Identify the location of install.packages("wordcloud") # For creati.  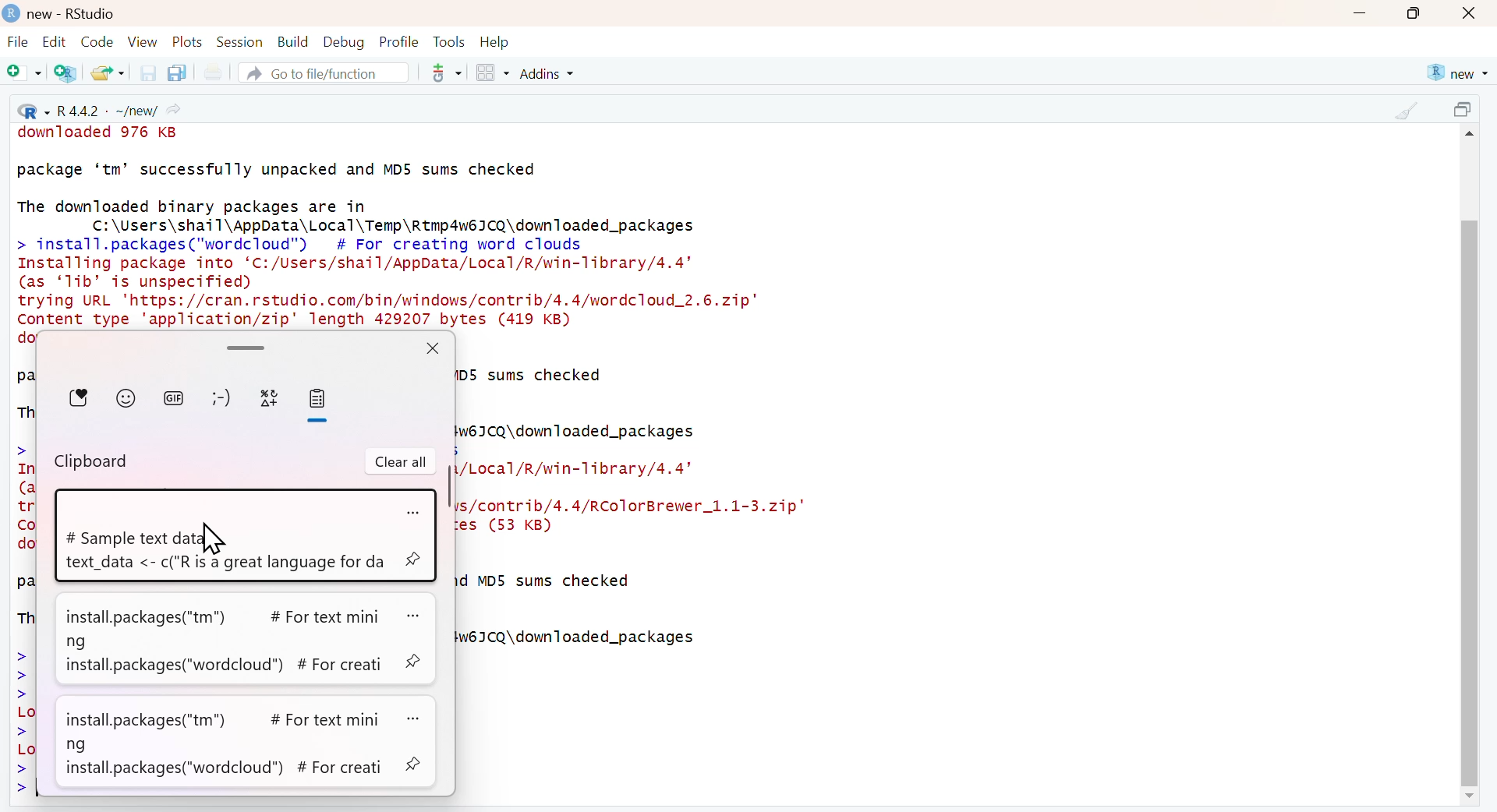
(224, 665).